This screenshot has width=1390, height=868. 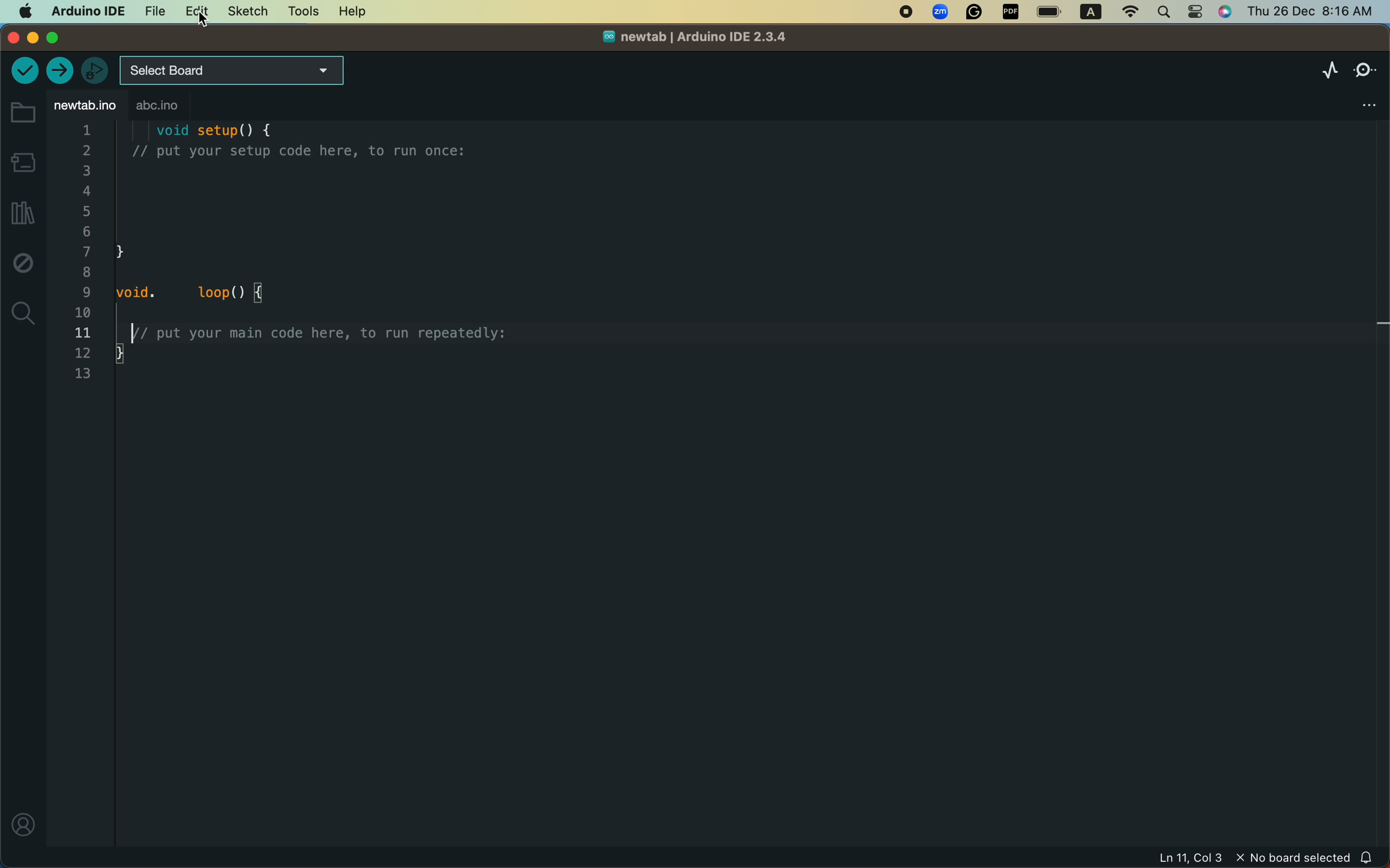 What do you see at coordinates (94, 70) in the screenshot?
I see `debugger` at bounding box center [94, 70].